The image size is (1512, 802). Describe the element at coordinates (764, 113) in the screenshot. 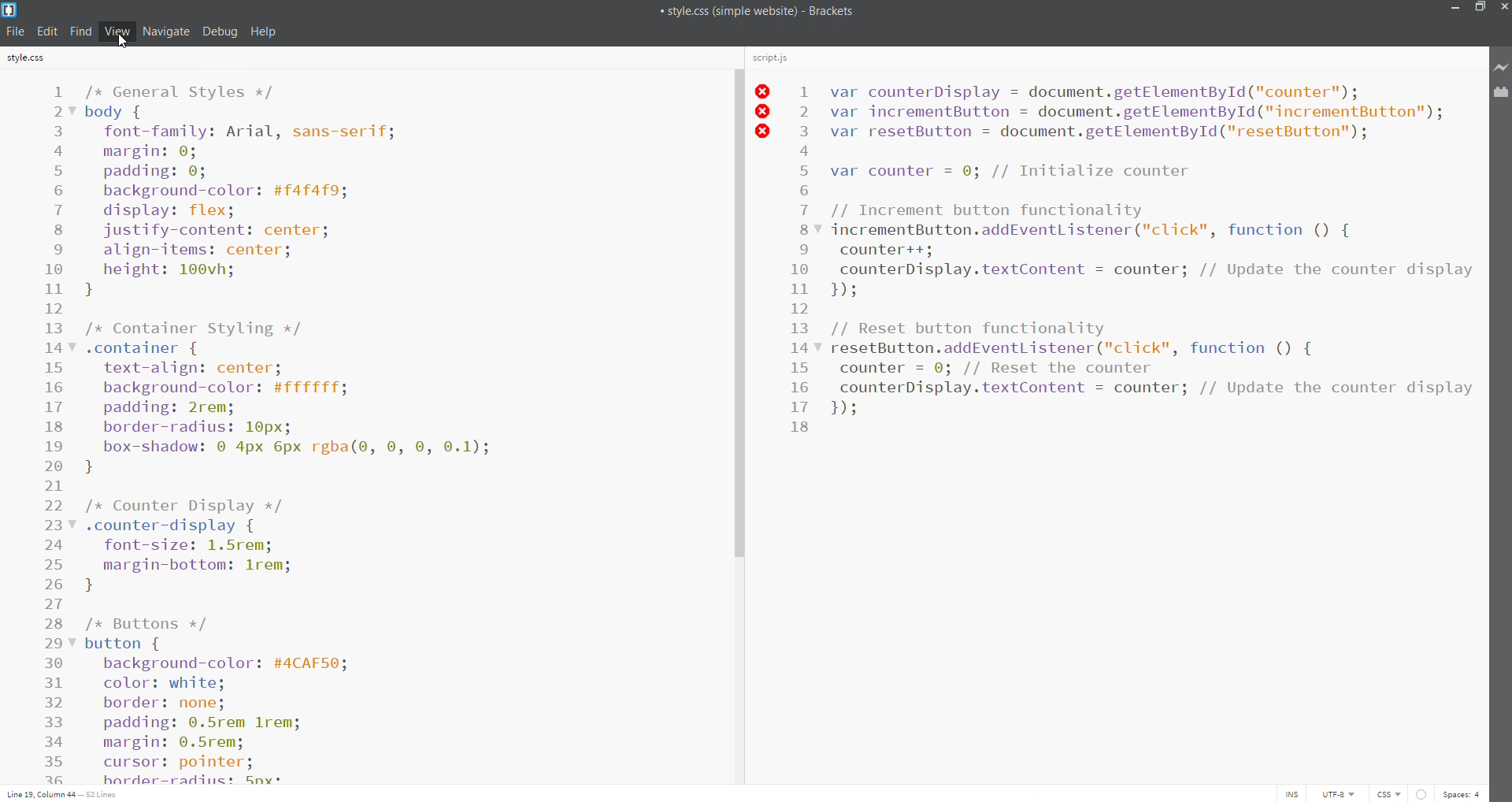

I see `line error status` at that location.